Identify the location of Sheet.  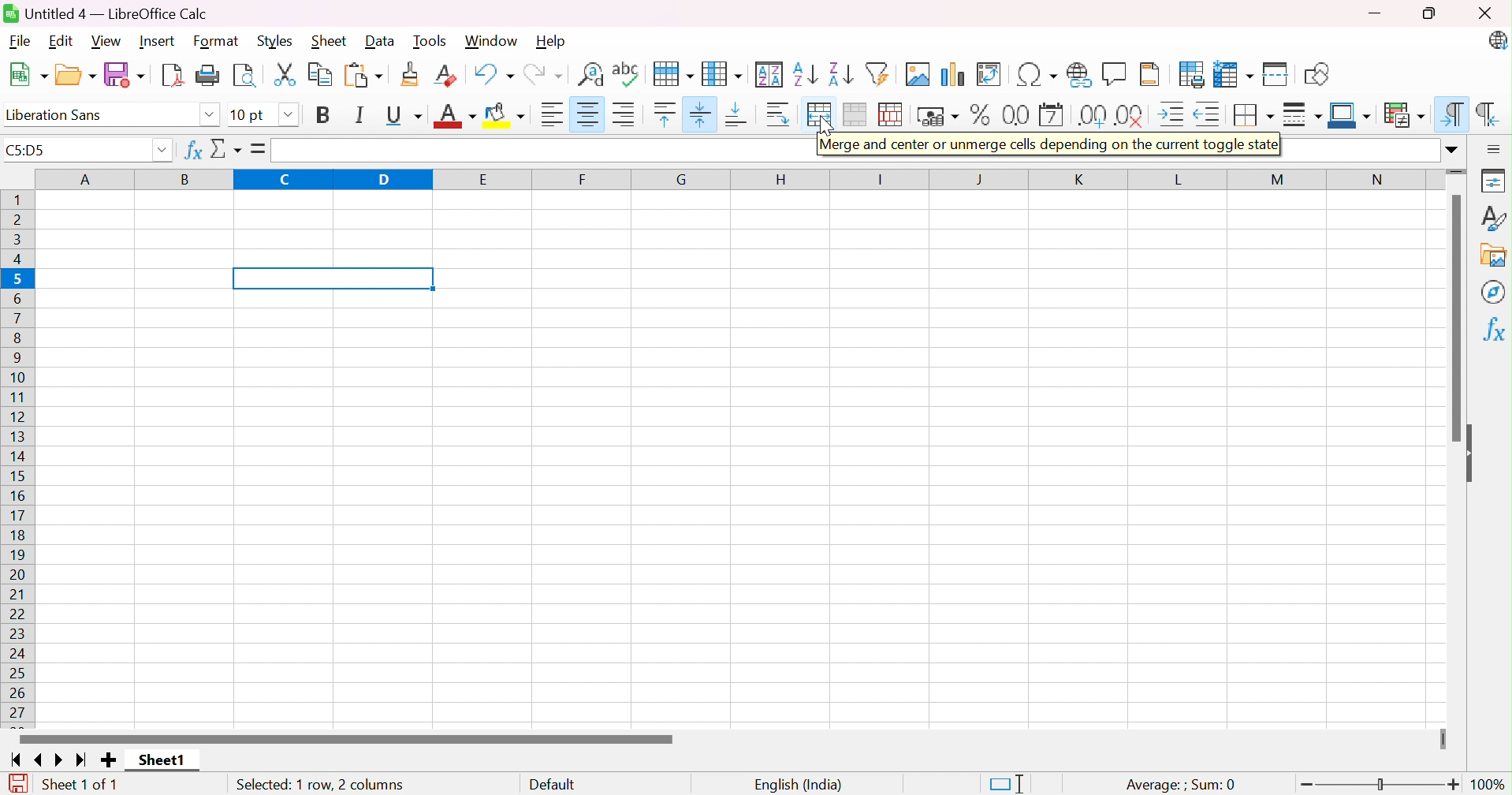
(329, 41).